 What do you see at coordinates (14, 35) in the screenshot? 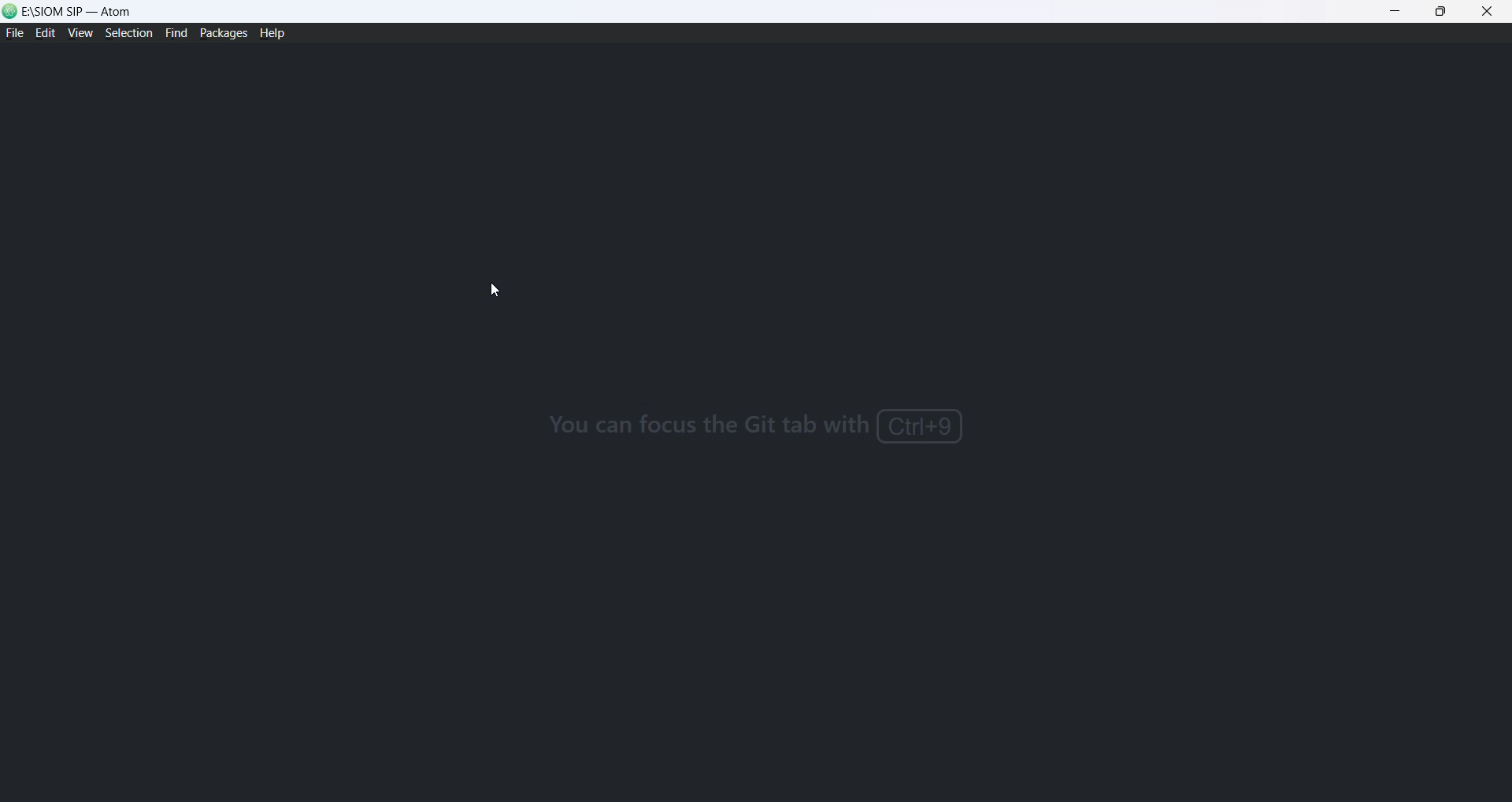
I see `file` at bounding box center [14, 35].